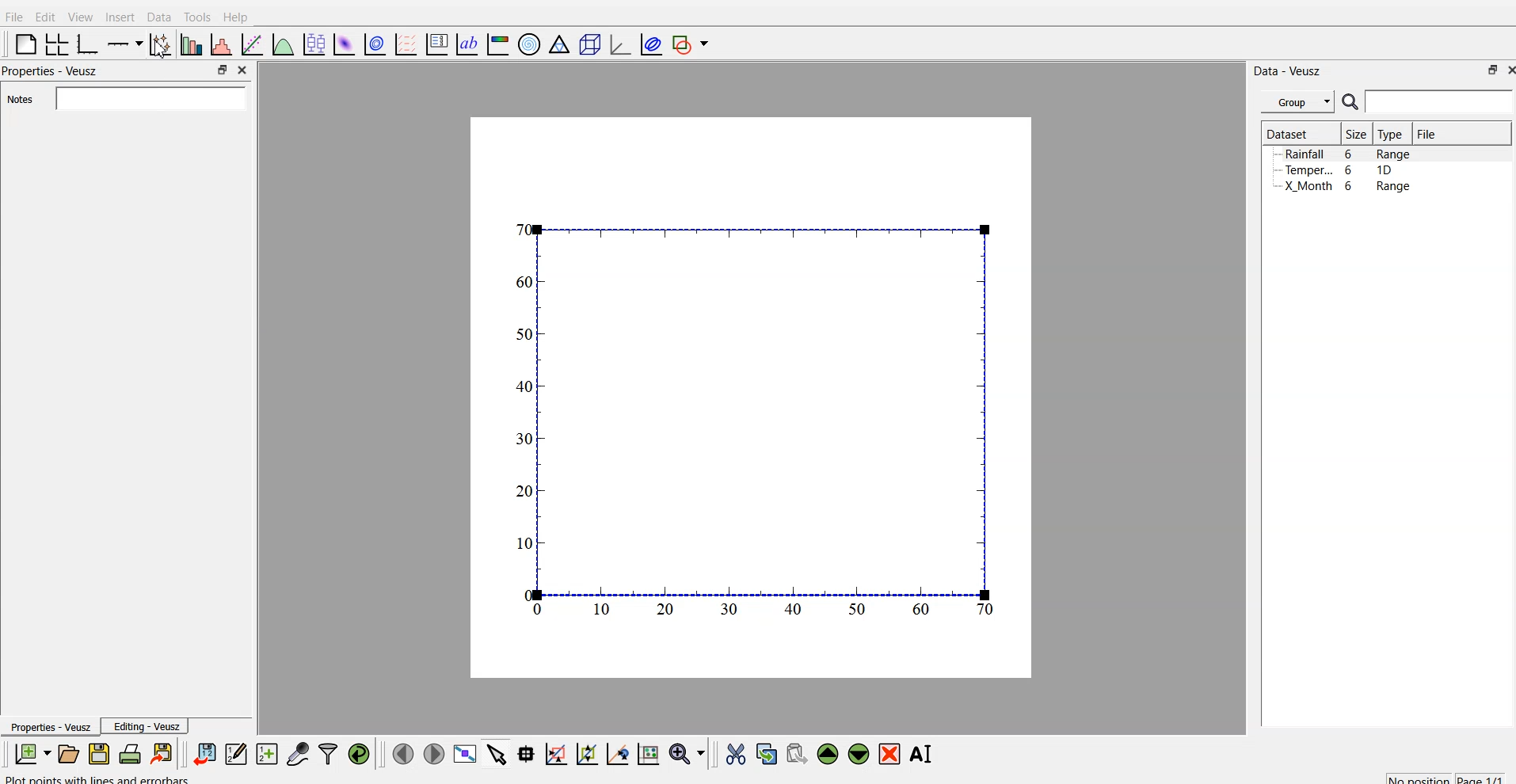  Describe the element at coordinates (164, 752) in the screenshot. I see `export to graphics format` at that location.